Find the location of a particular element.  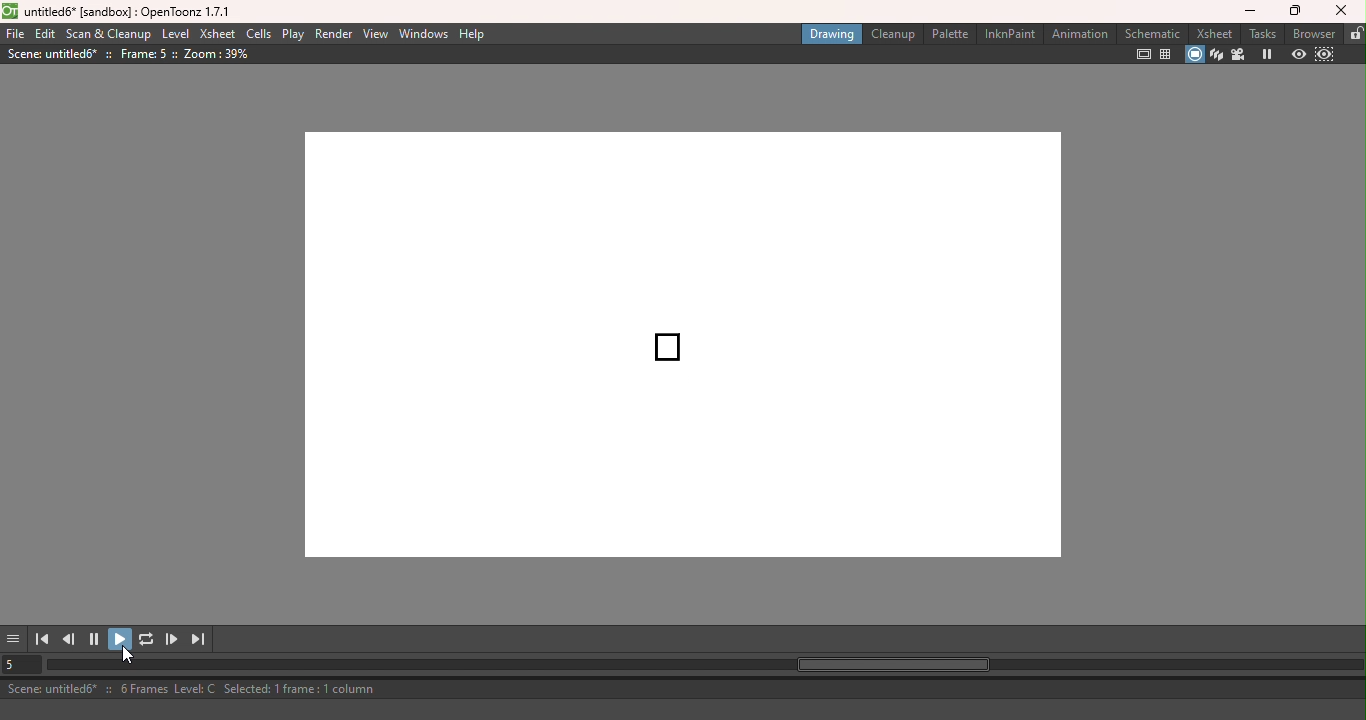

Safe area is located at coordinates (1142, 55).